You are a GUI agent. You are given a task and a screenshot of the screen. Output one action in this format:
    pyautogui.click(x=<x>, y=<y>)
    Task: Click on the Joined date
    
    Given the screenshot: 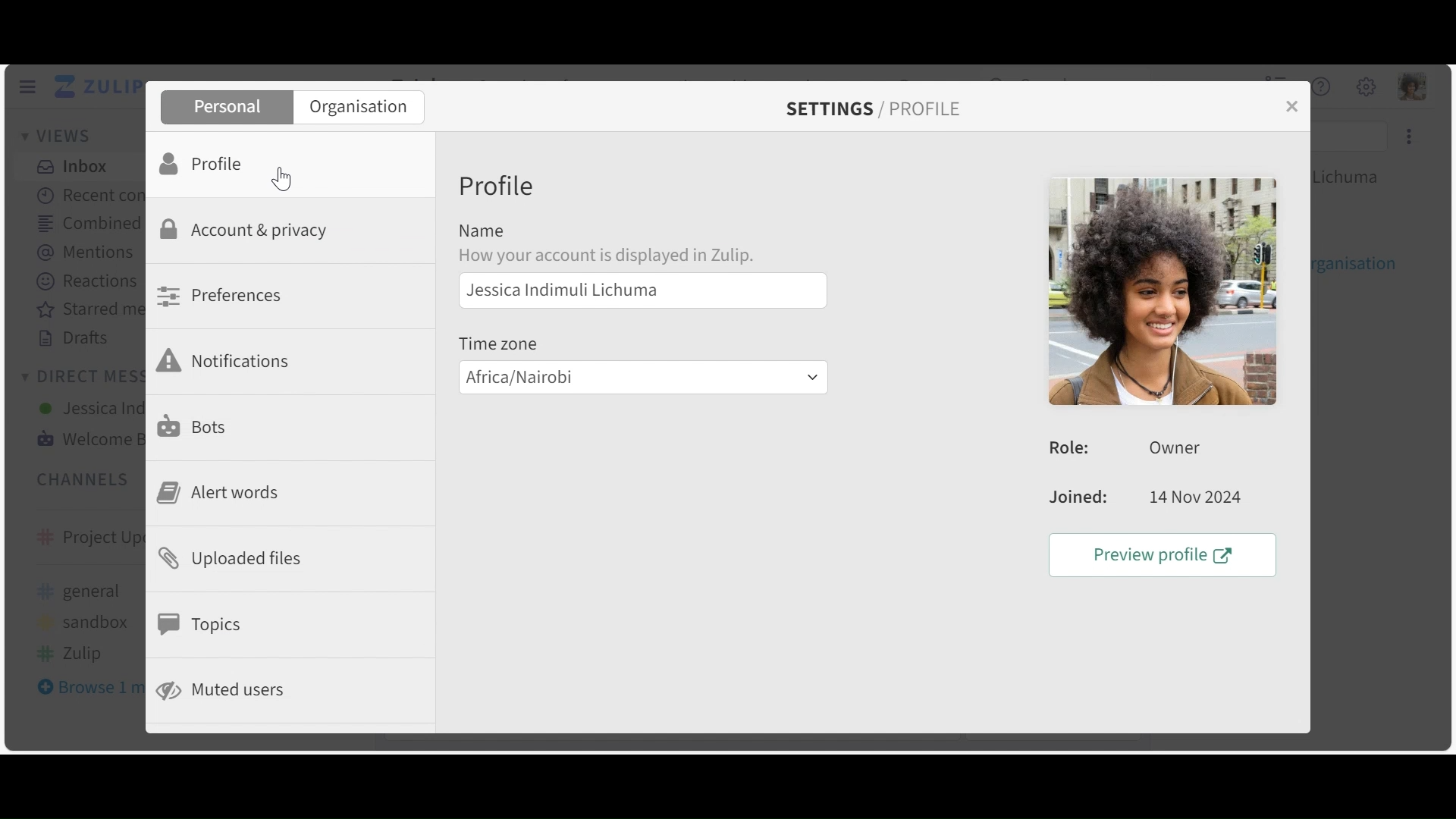 What is the action you would take?
    pyautogui.click(x=1146, y=497)
    